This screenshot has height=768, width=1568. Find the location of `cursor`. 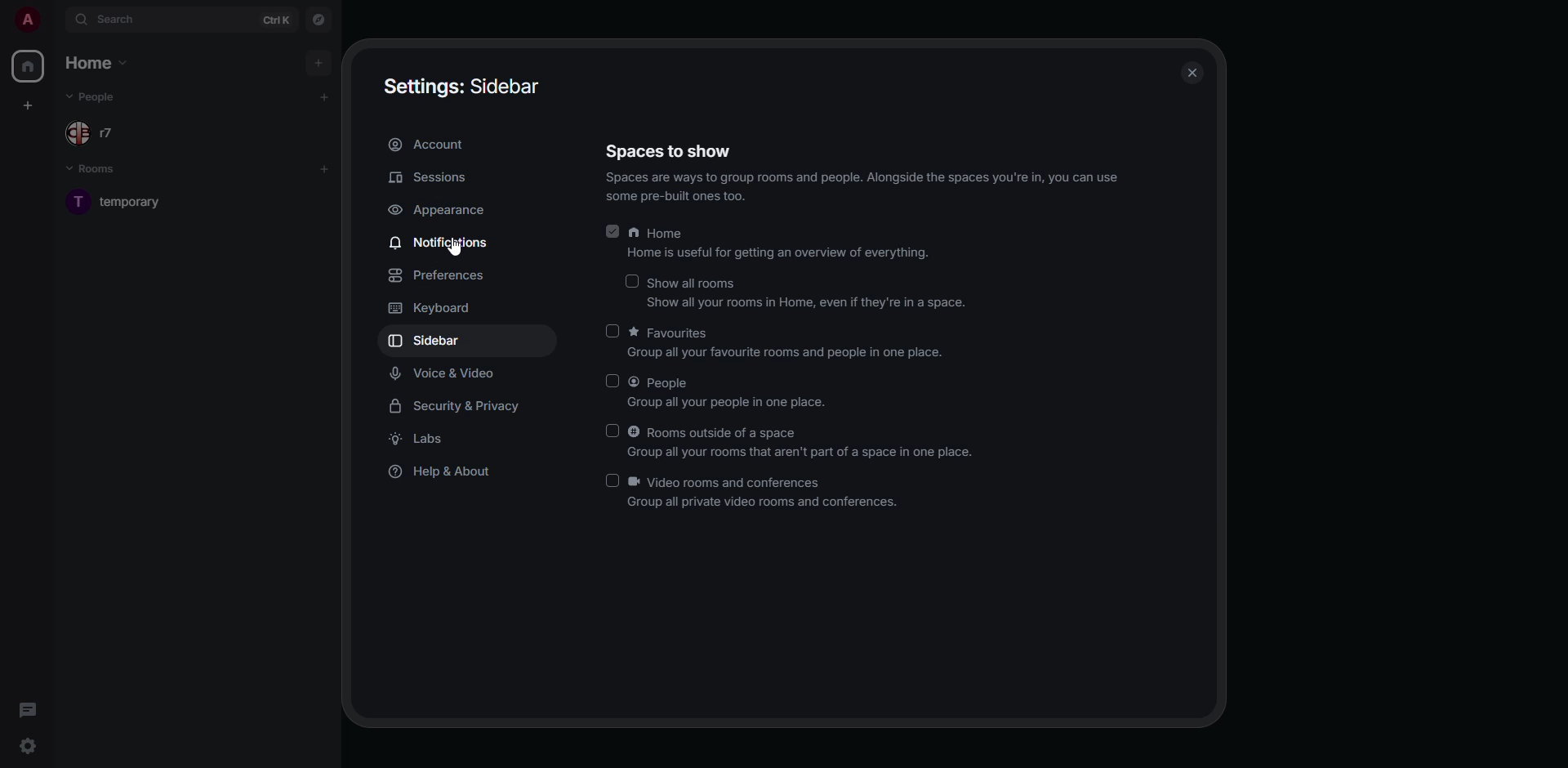

cursor is located at coordinates (453, 249).